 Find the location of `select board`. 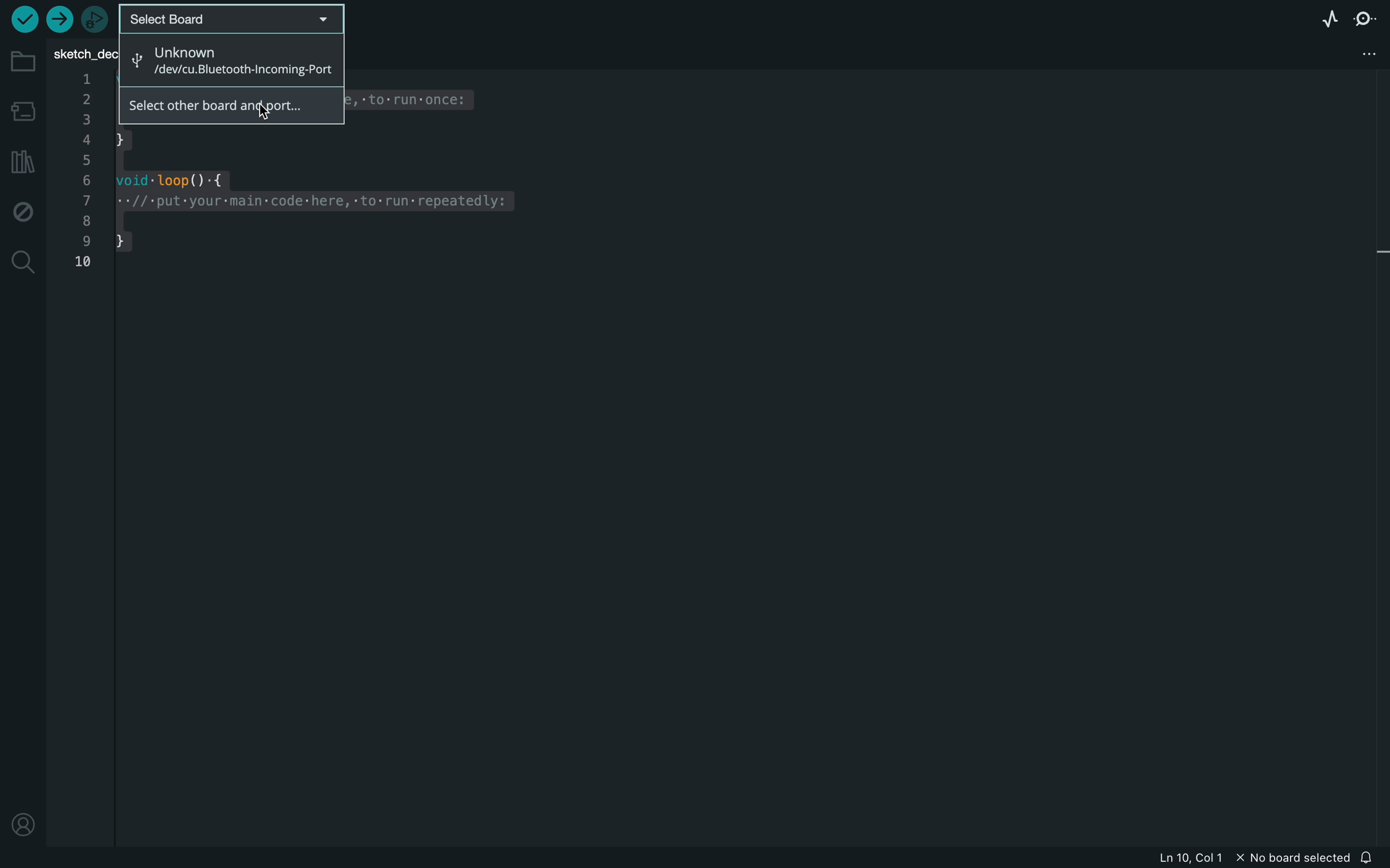

select board is located at coordinates (233, 19).